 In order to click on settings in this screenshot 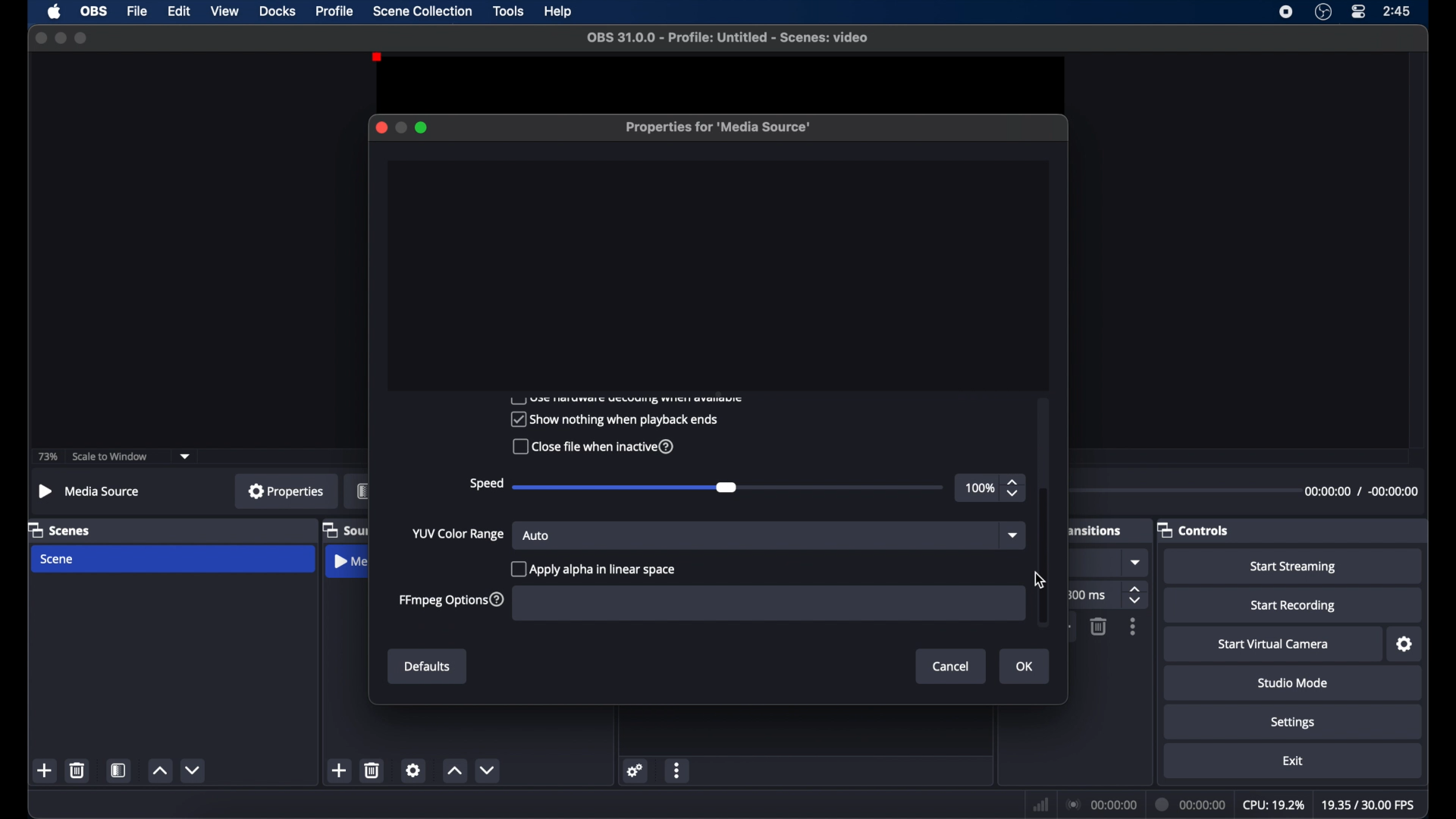, I will do `click(635, 770)`.